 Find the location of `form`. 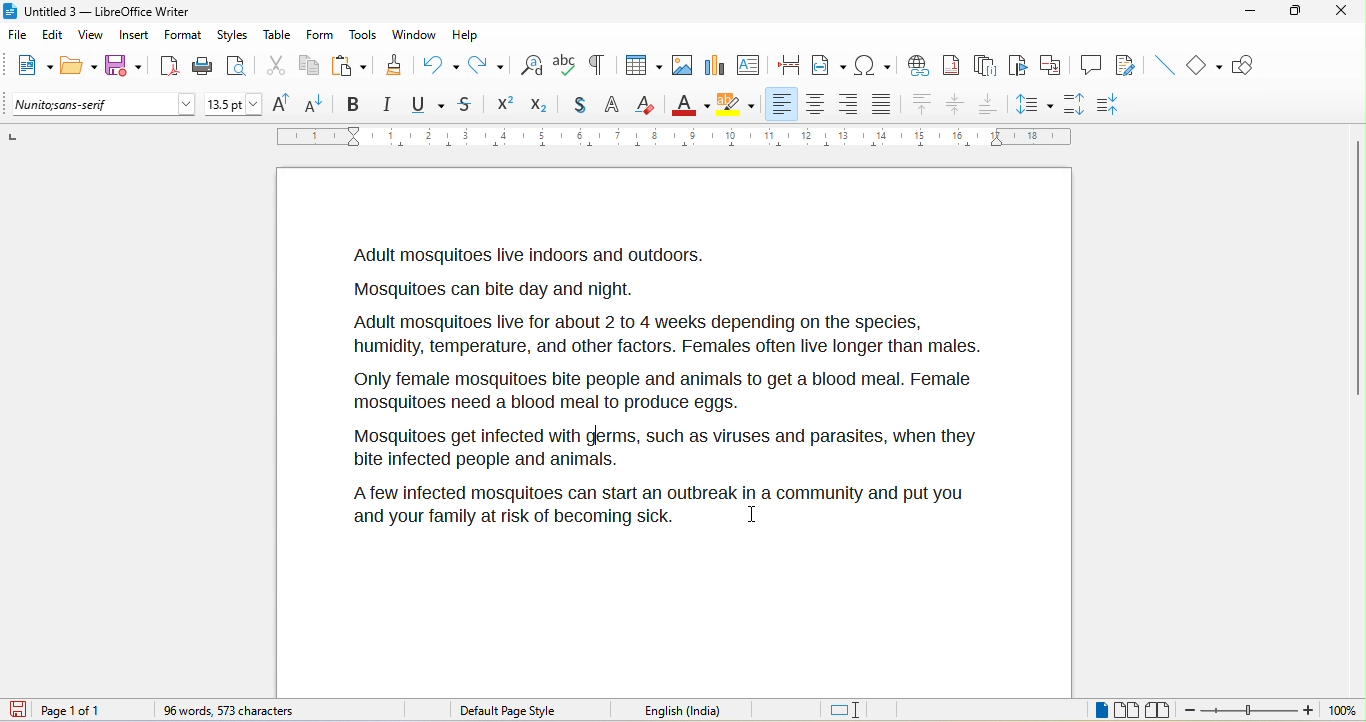

form is located at coordinates (321, 36).